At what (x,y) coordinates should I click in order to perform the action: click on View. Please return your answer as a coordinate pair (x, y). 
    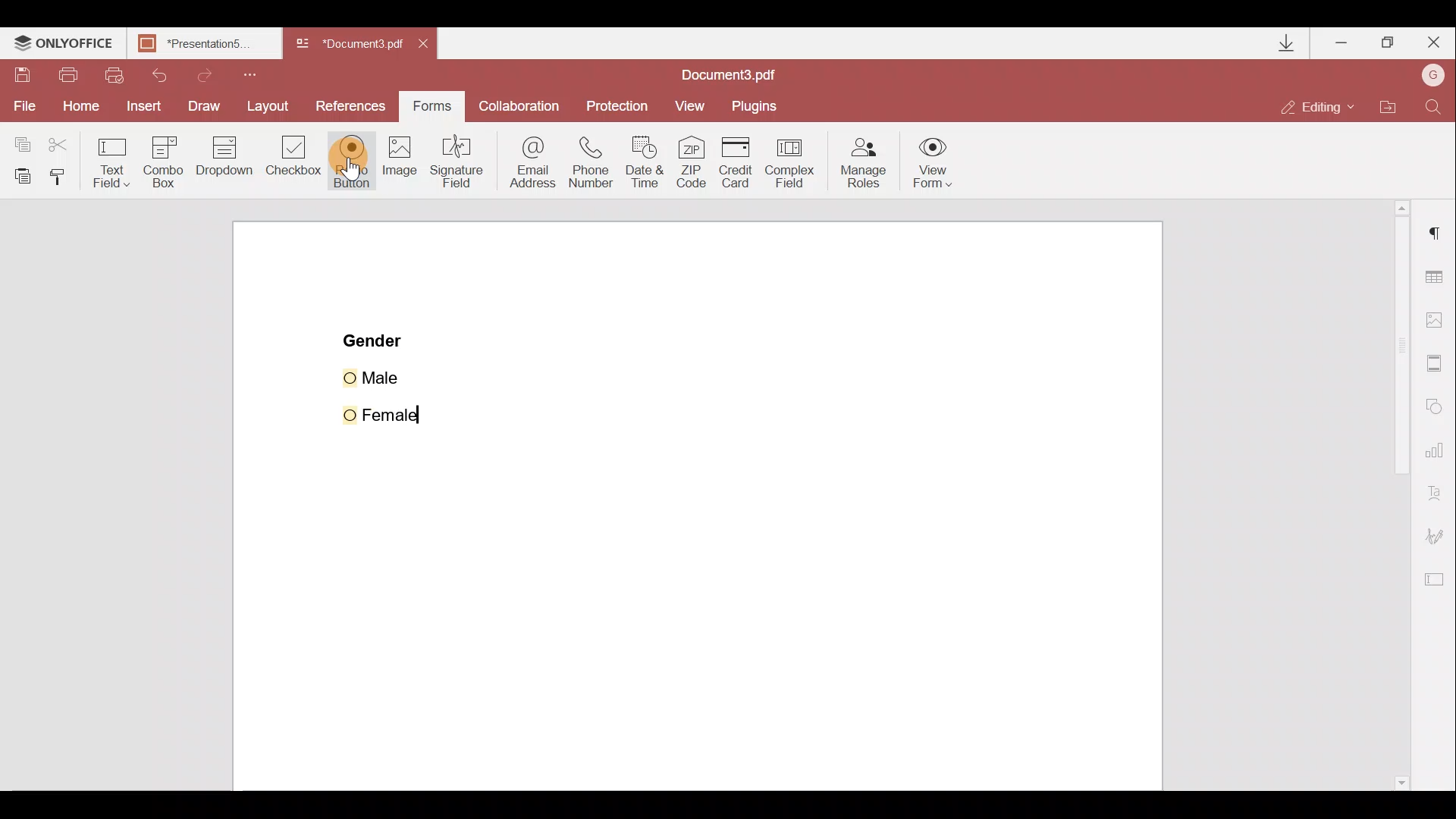
    Looking at the image, I should click on (697, 104).